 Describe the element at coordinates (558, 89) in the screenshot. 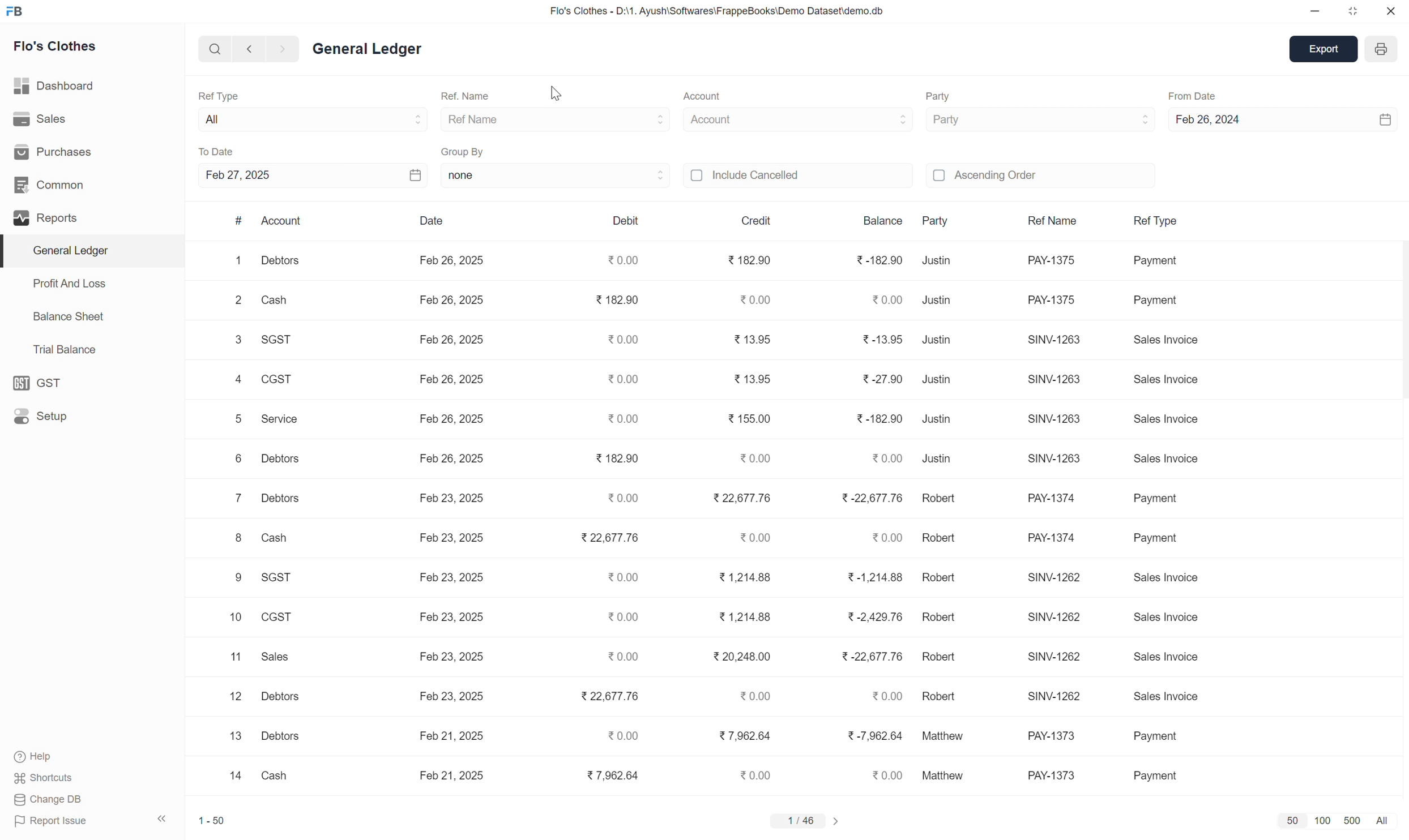

I see `mouse pointer` at that location.